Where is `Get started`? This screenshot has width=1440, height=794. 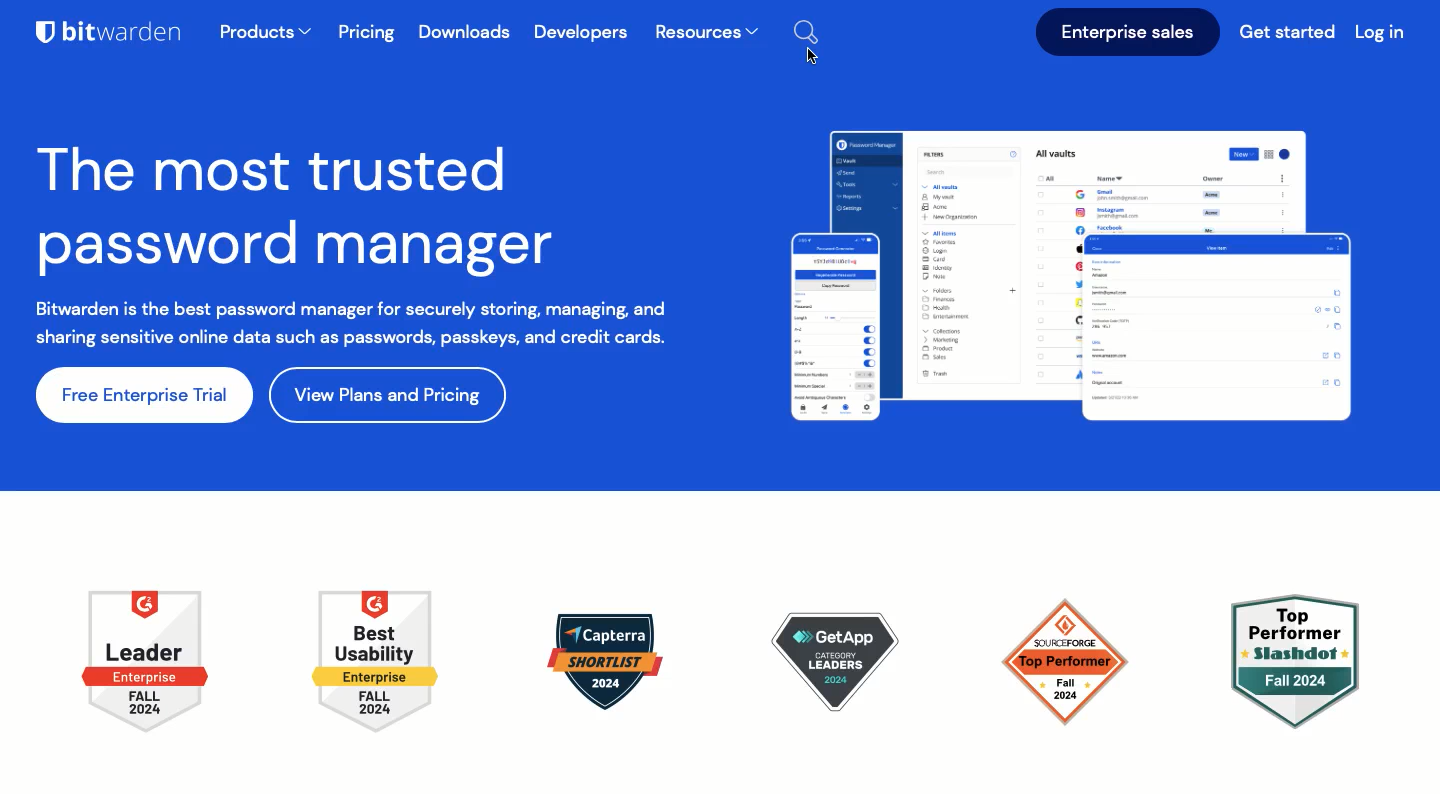 Get started is located at coordinates (1290, 35).